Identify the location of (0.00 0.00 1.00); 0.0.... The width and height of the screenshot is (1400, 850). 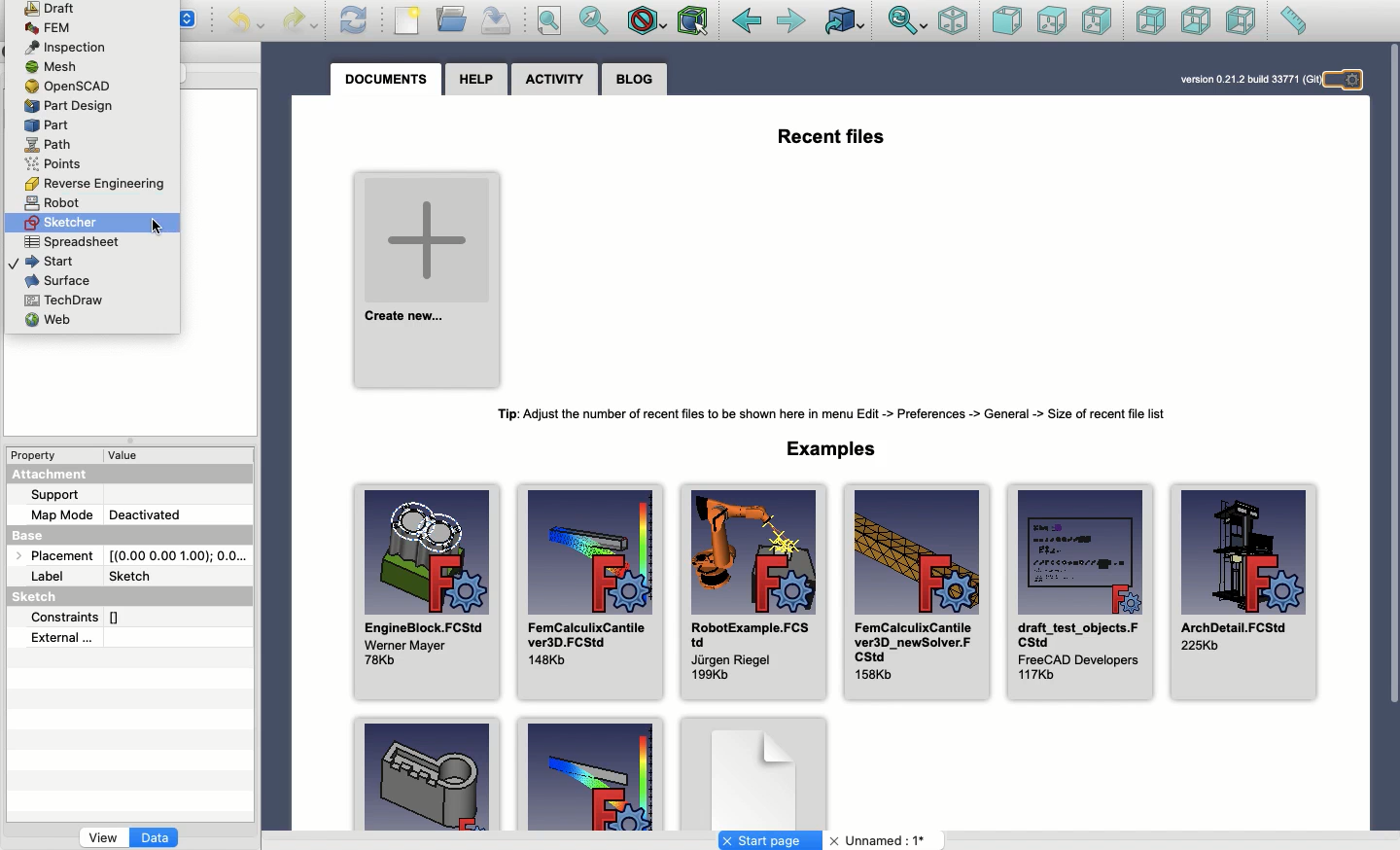
(181, 555).